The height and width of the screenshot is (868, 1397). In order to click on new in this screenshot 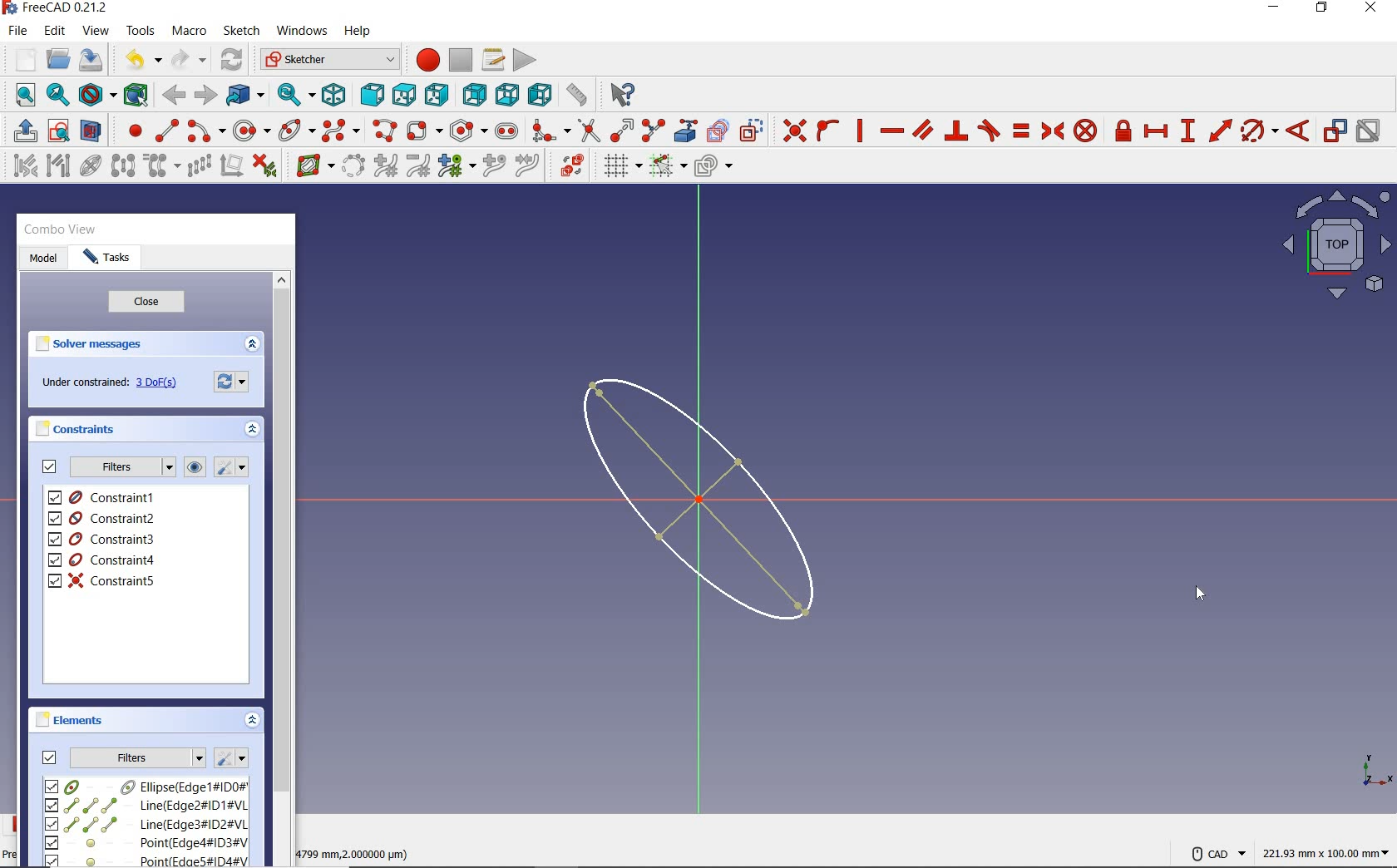, I will do `click(21, 59)`.